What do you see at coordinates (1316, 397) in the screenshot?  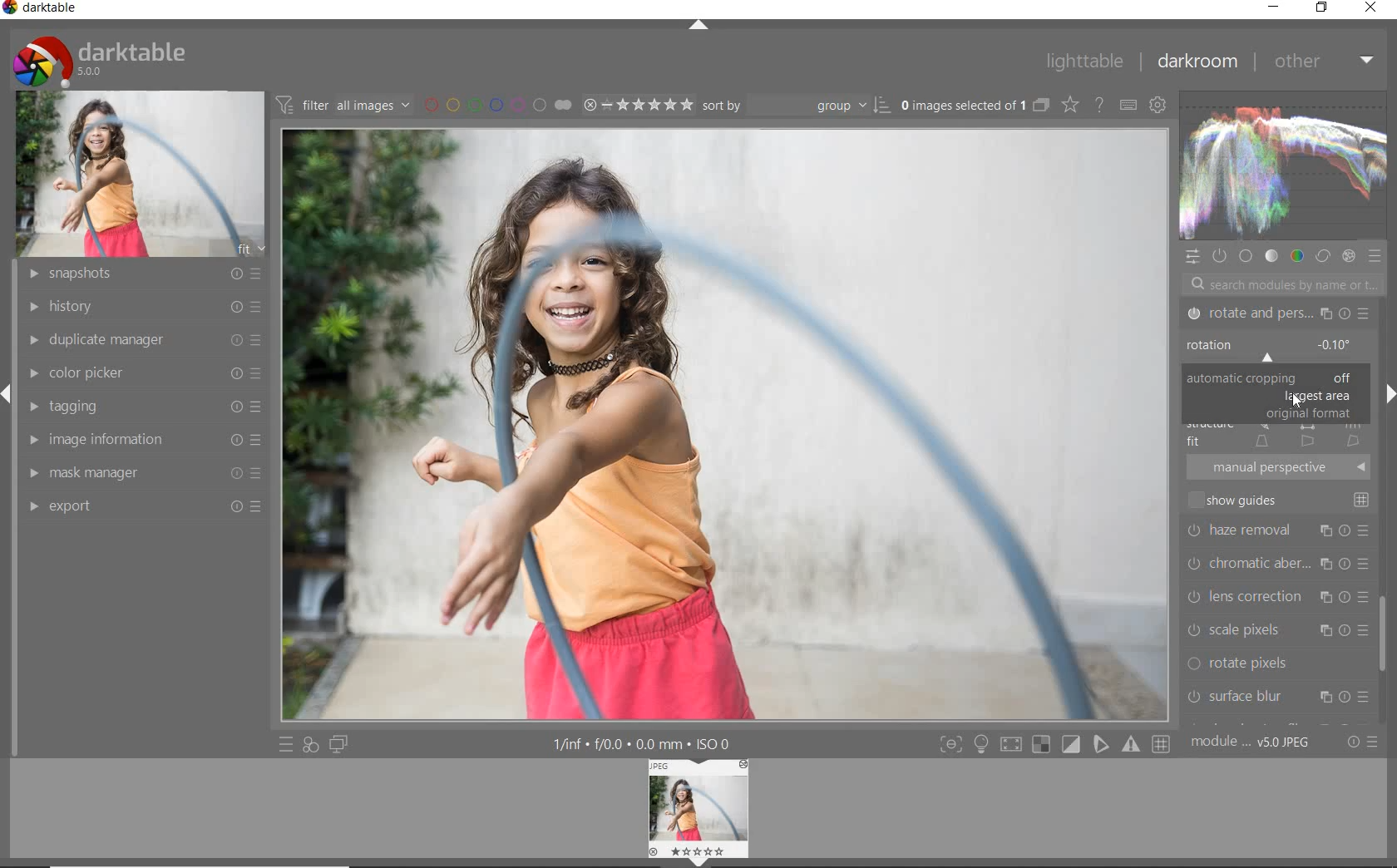 I see `LARGEST AREA` at bounding box center [1316, 397].